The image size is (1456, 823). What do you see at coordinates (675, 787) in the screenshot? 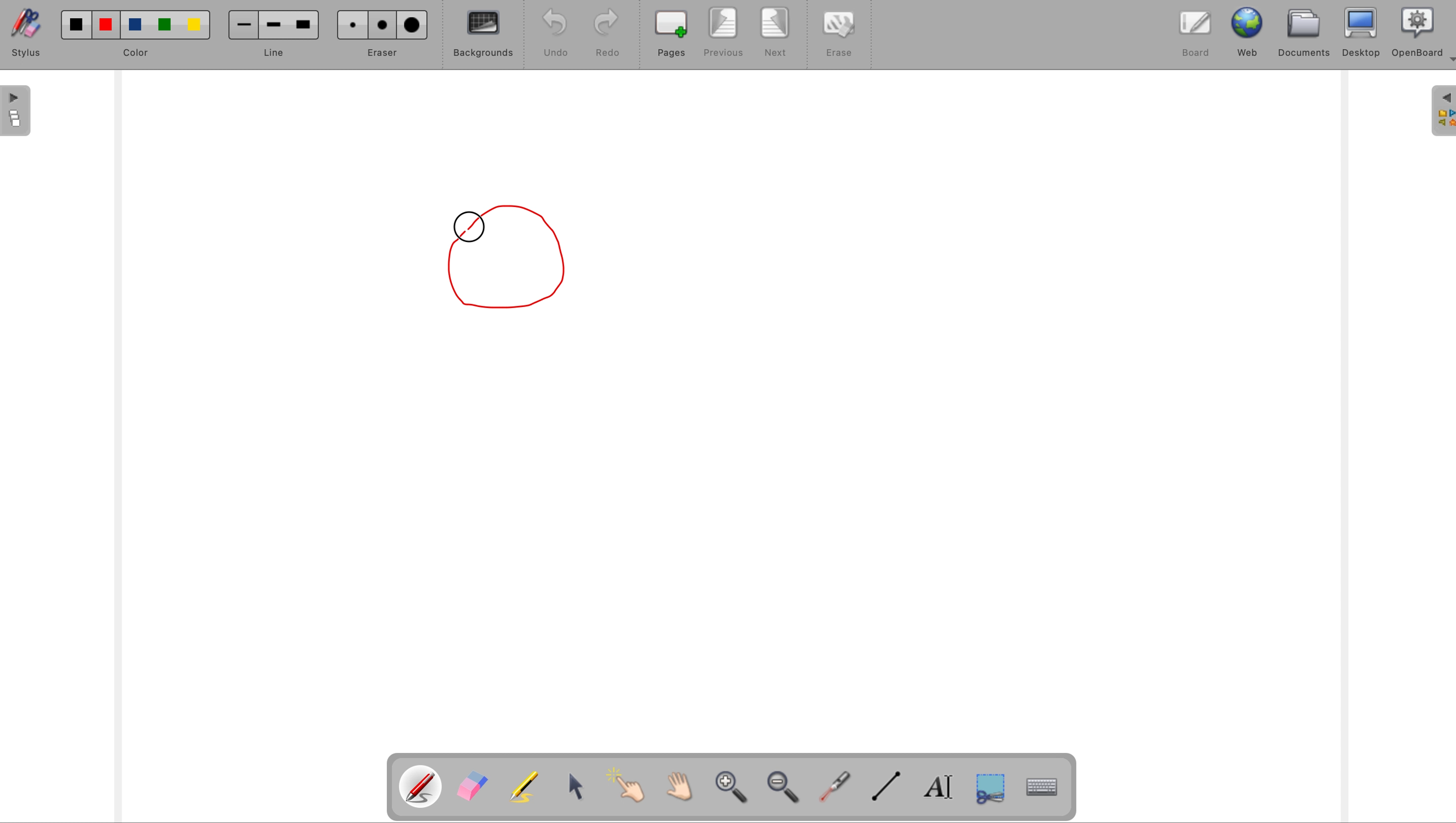
I see `scroll by hand` at bounding box center [675, 787].